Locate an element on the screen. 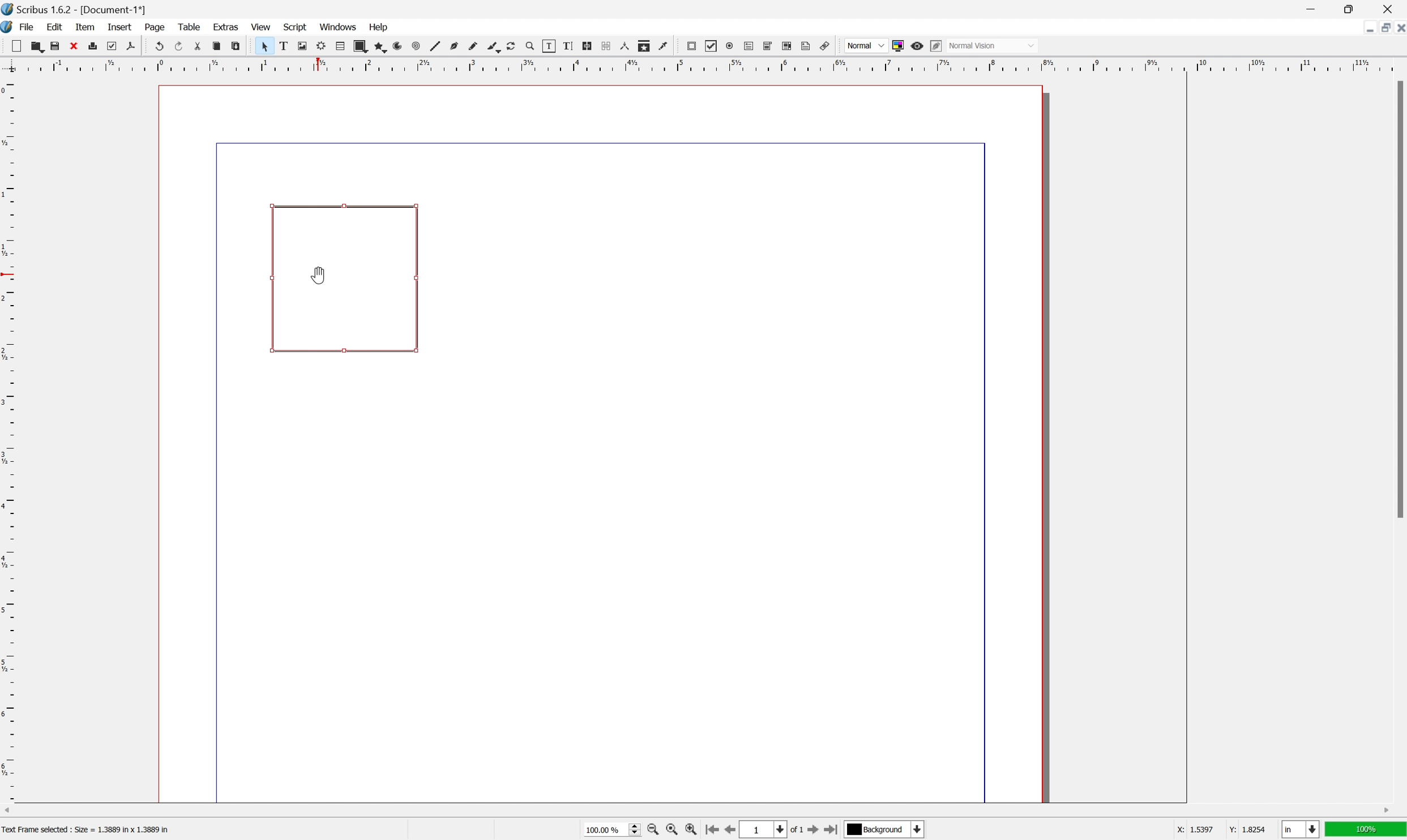  ruler is located at coordinates (9, 438).